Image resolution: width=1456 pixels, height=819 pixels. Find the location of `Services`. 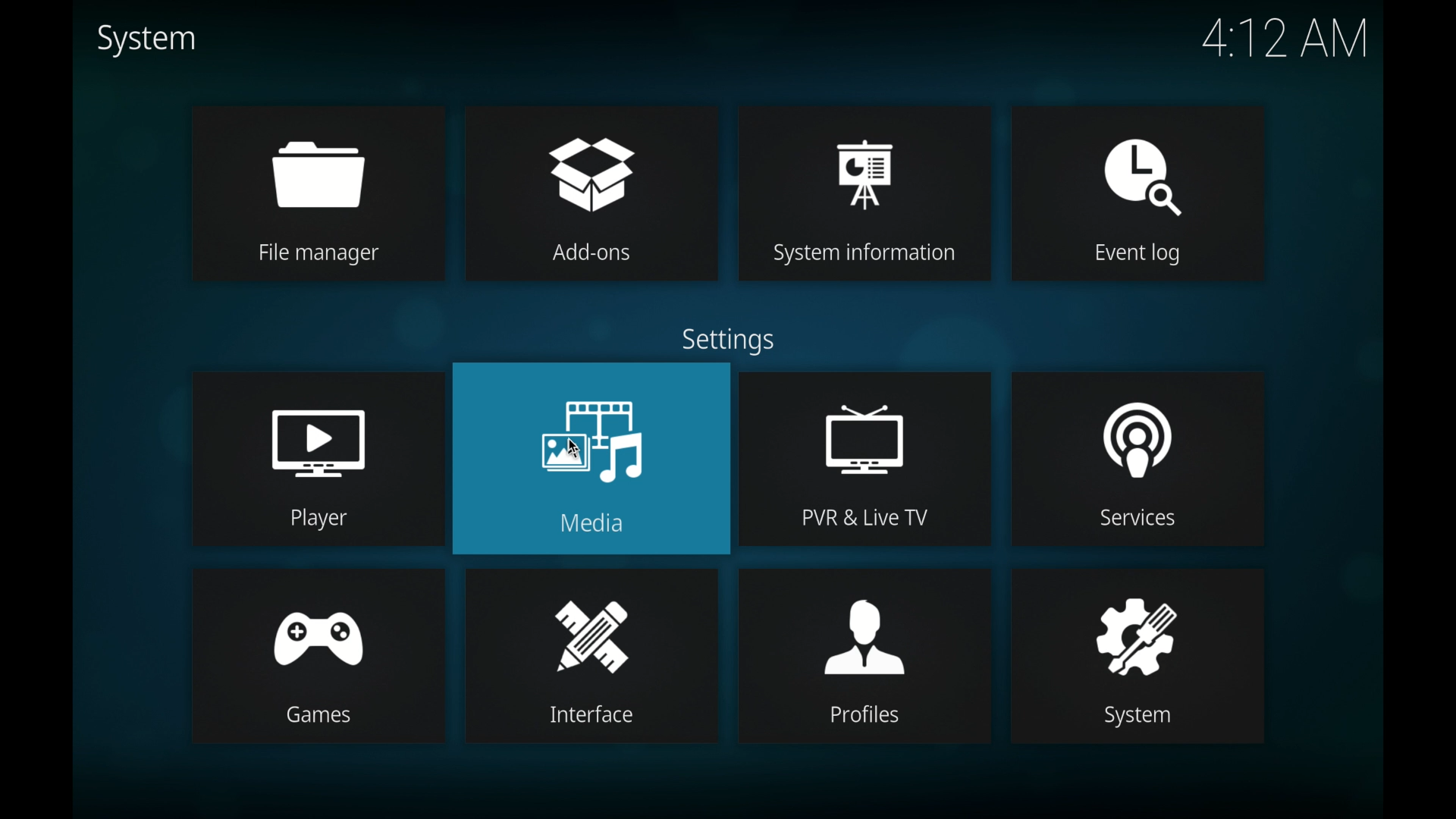

Services is located at coordinates (1138, 522).